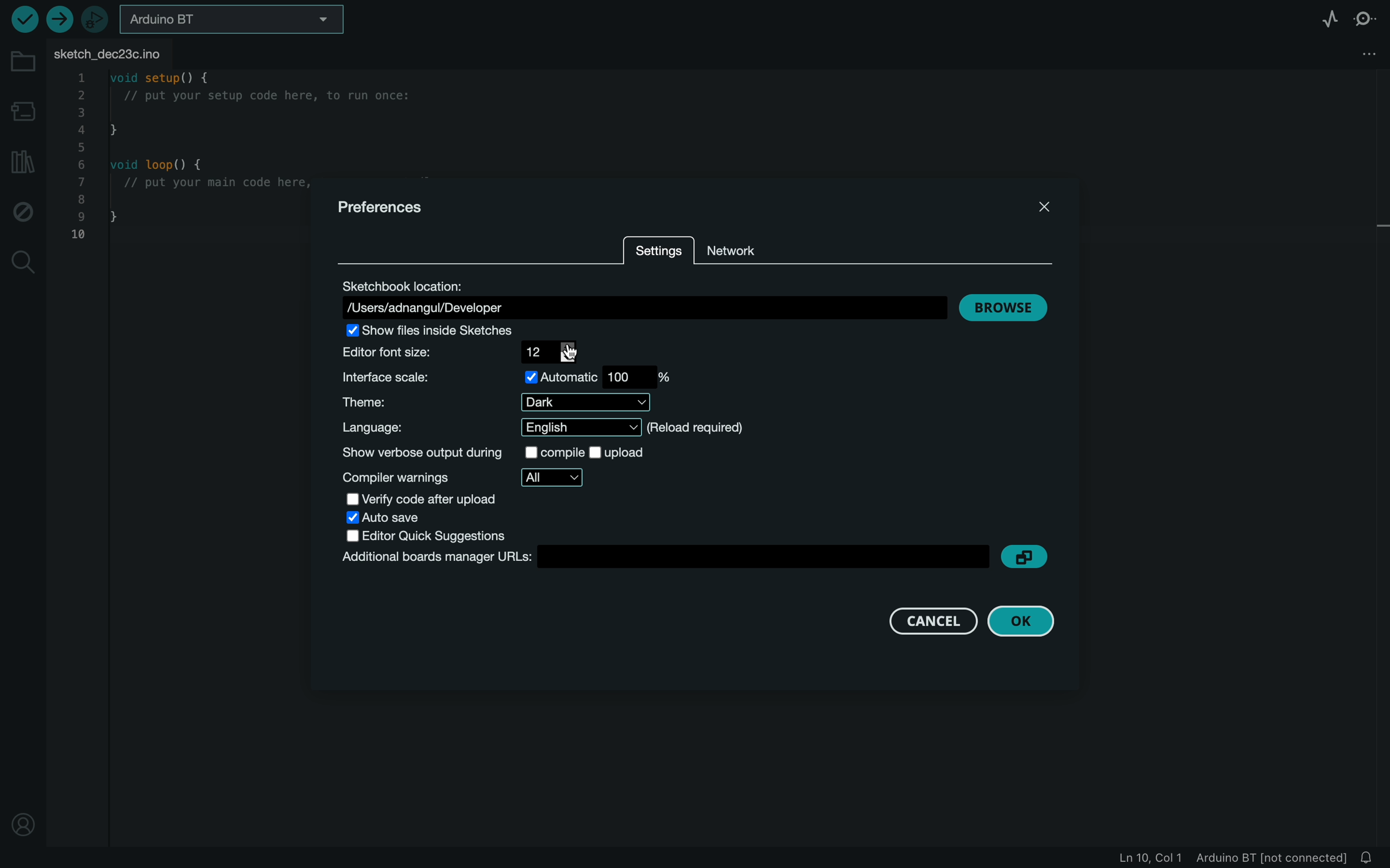 The image size is (1390, 868). I want to click on upload, so click(60, 20).